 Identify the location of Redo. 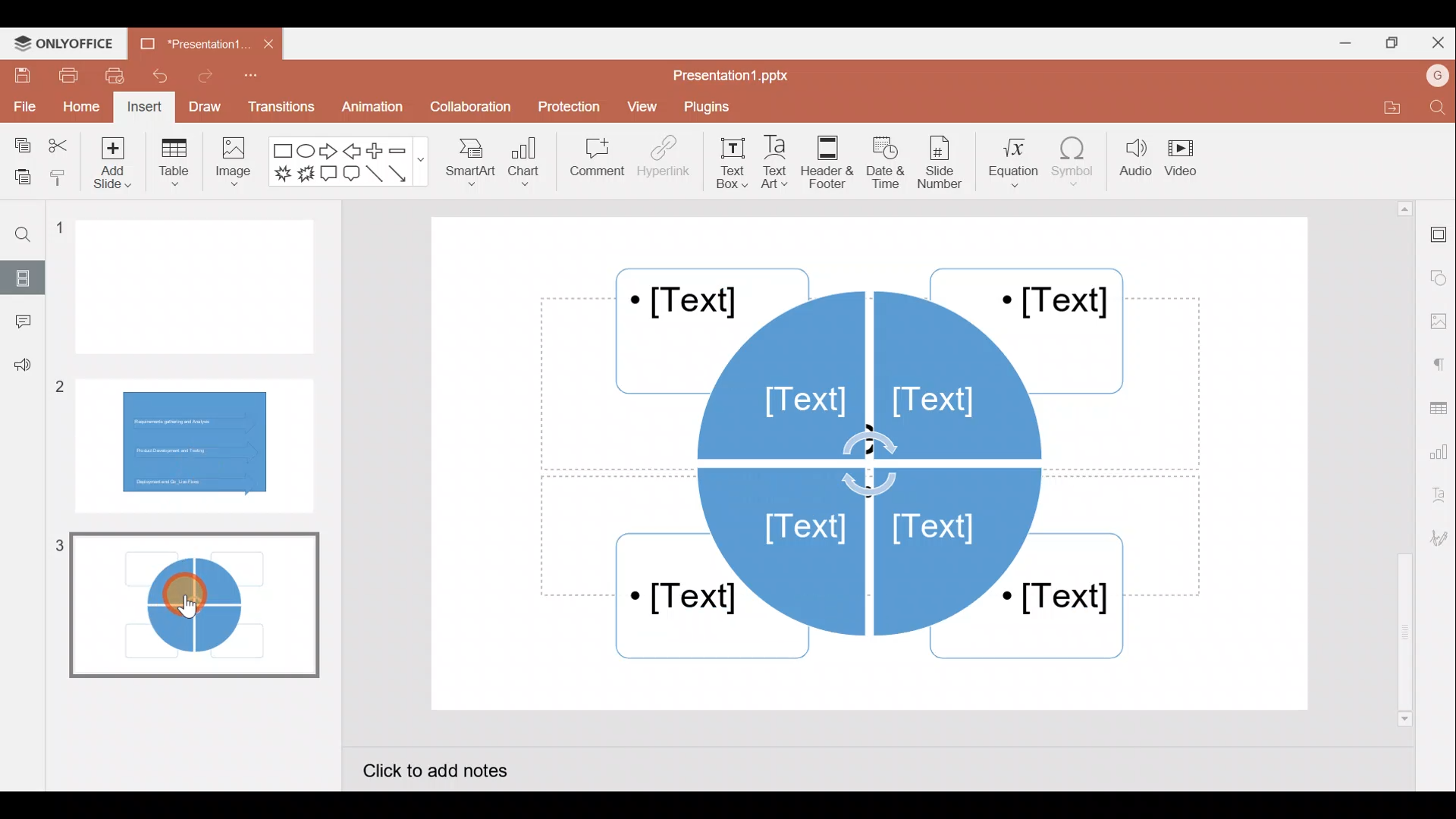
(201, 80).